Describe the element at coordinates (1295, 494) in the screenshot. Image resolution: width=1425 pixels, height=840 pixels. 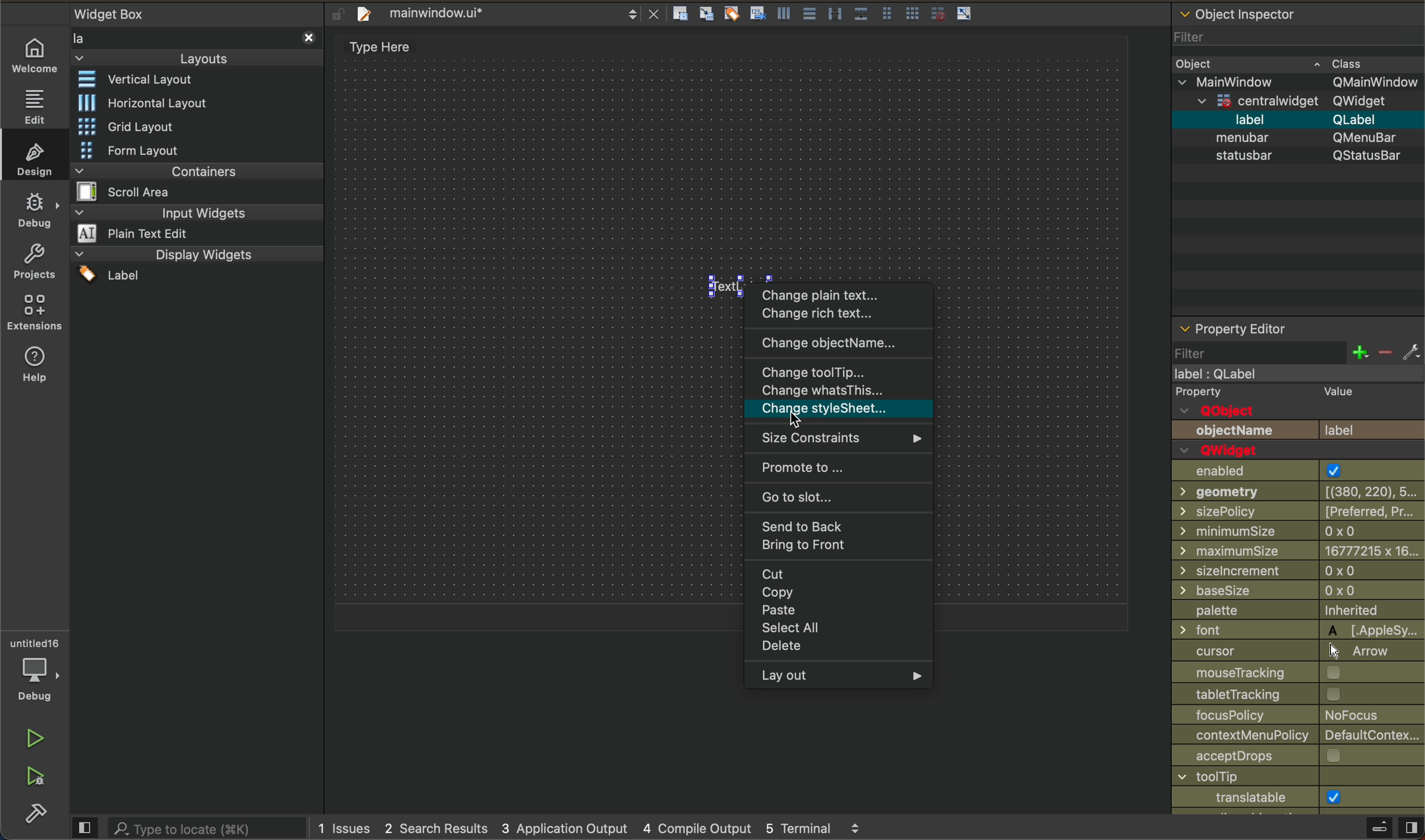
I see `` at that location.